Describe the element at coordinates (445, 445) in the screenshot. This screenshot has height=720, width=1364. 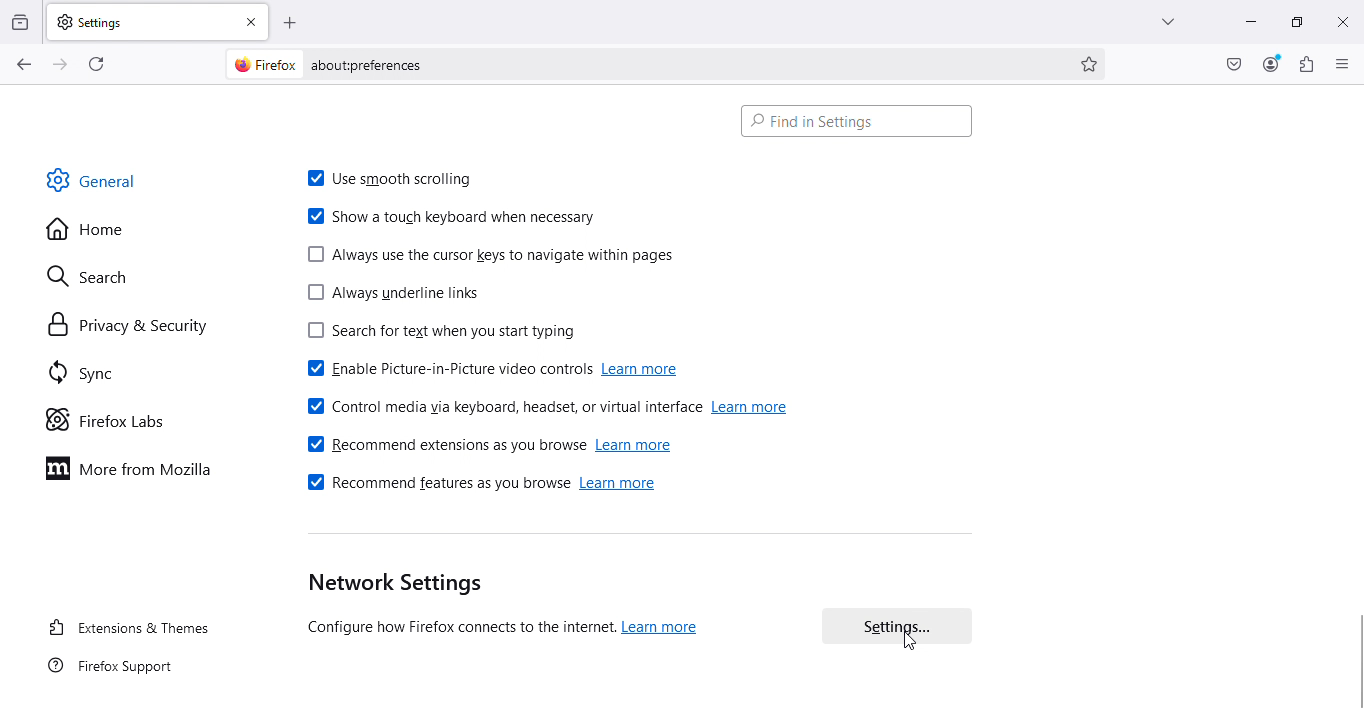
I see `Recommend extensions as you browse` at that location.